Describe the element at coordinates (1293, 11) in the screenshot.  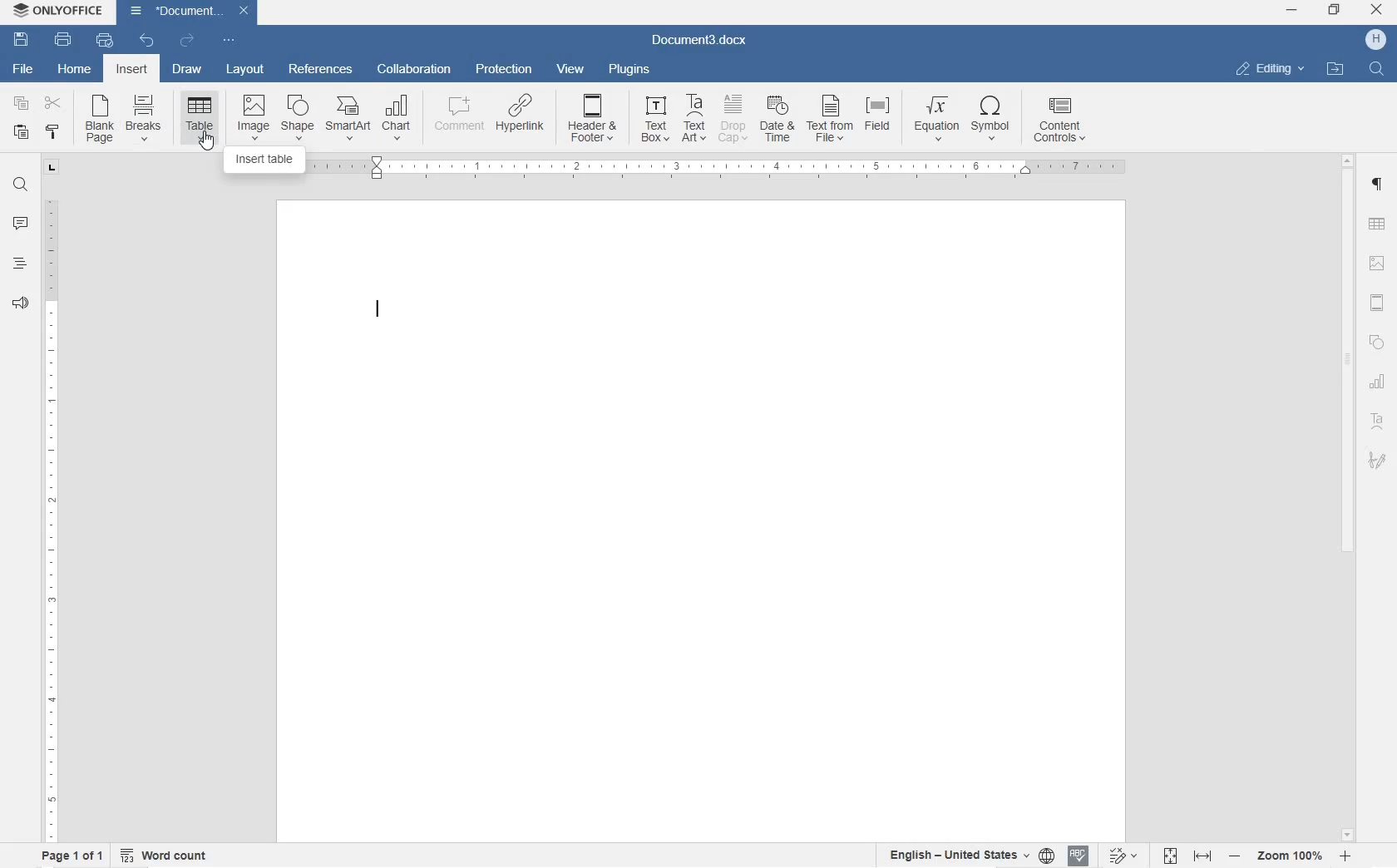
I see `MINIMIZE` at that location.